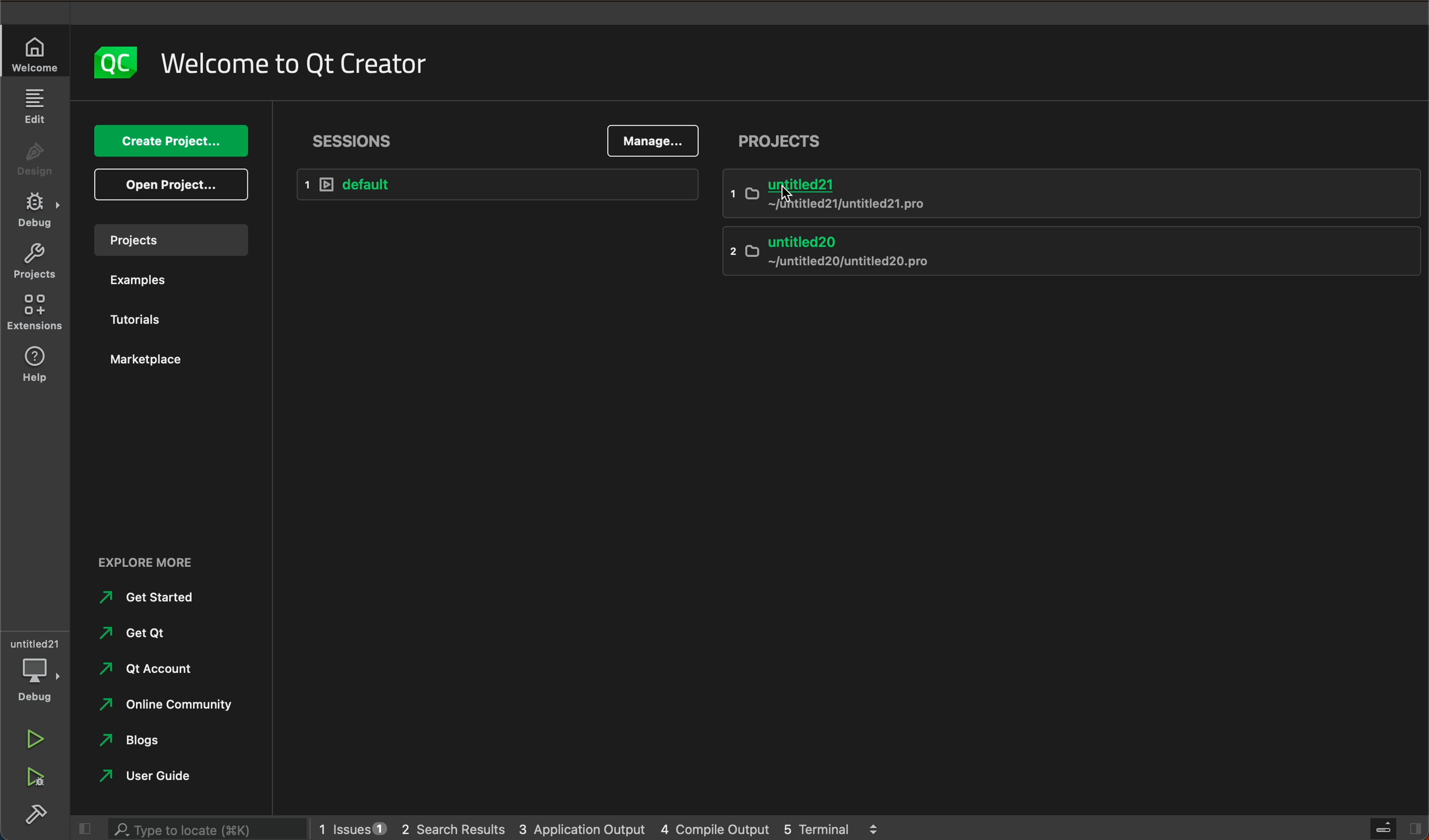  What do you see at coordinates (76, 829) in the screenshot?
I see `close slidebar` at bounding box center [76, 829].